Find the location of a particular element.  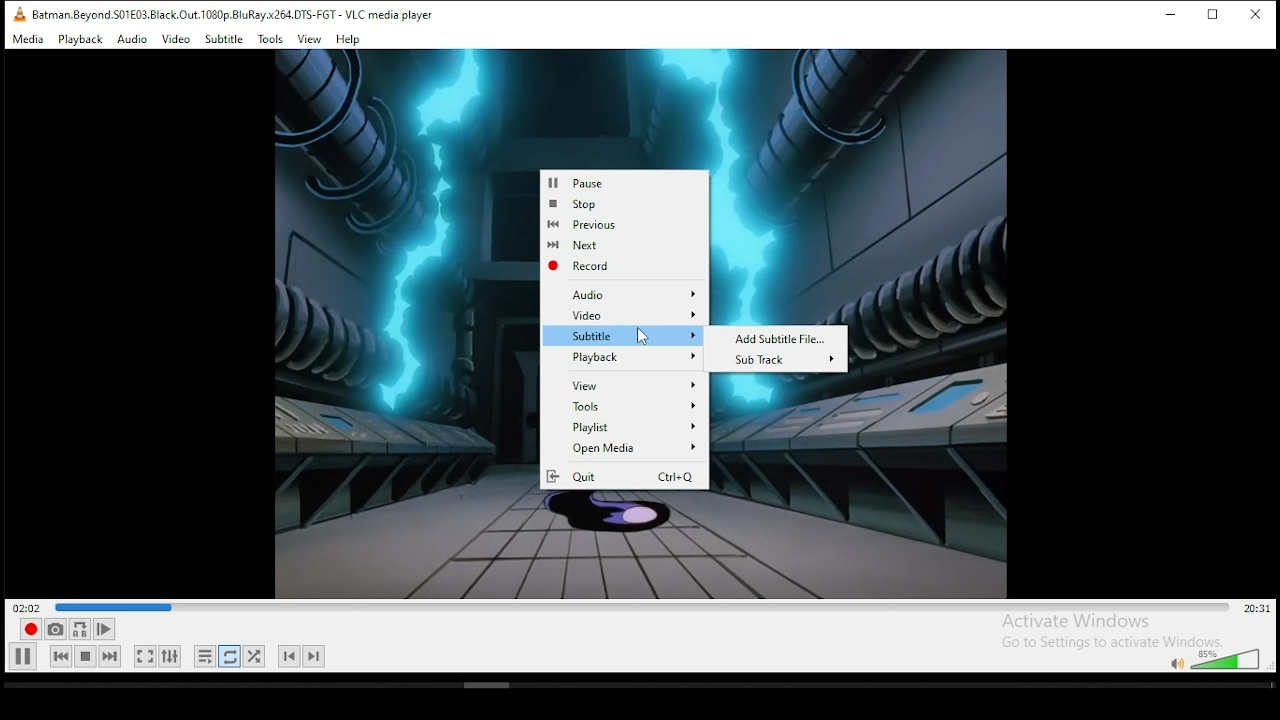

seek bar is located at coordinates (642, 606).